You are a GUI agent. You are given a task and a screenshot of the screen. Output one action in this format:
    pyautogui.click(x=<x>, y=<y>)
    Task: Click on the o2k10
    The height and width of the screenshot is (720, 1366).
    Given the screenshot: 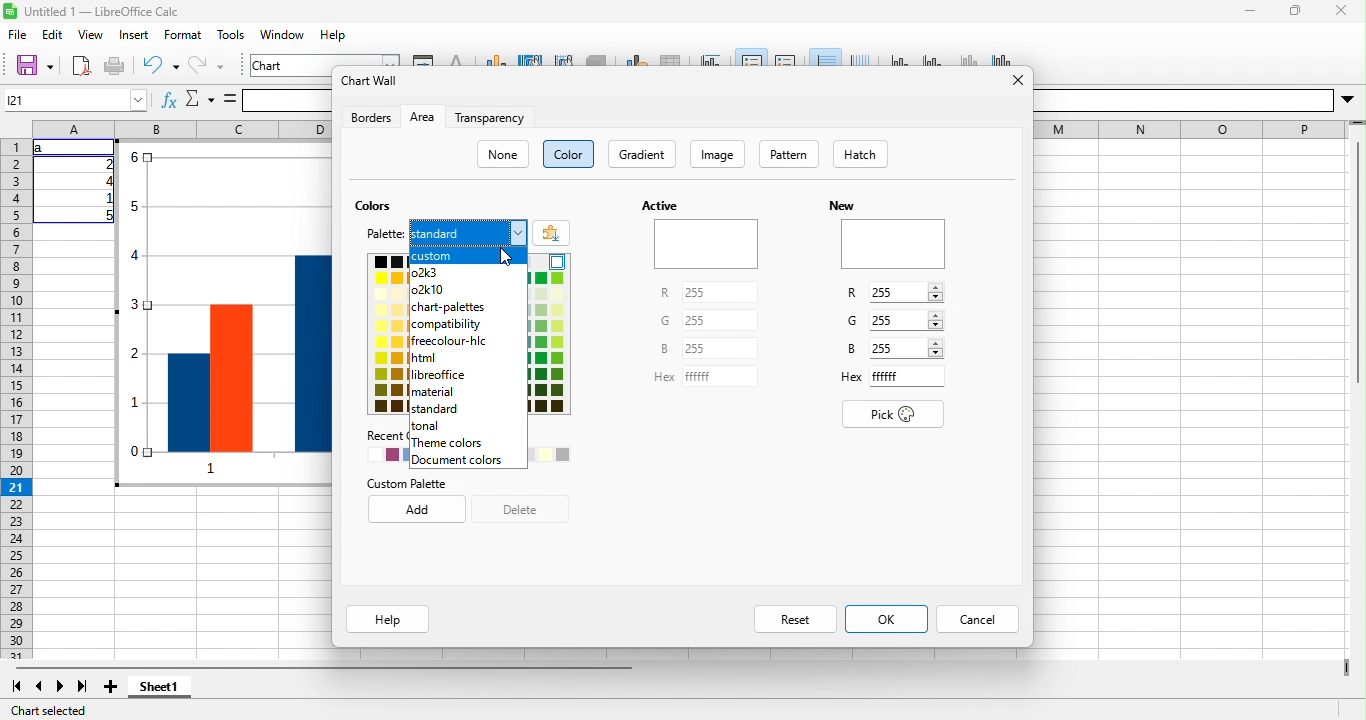 What is the action you would take?
    pyautogui.click(x=468, y=289)
    